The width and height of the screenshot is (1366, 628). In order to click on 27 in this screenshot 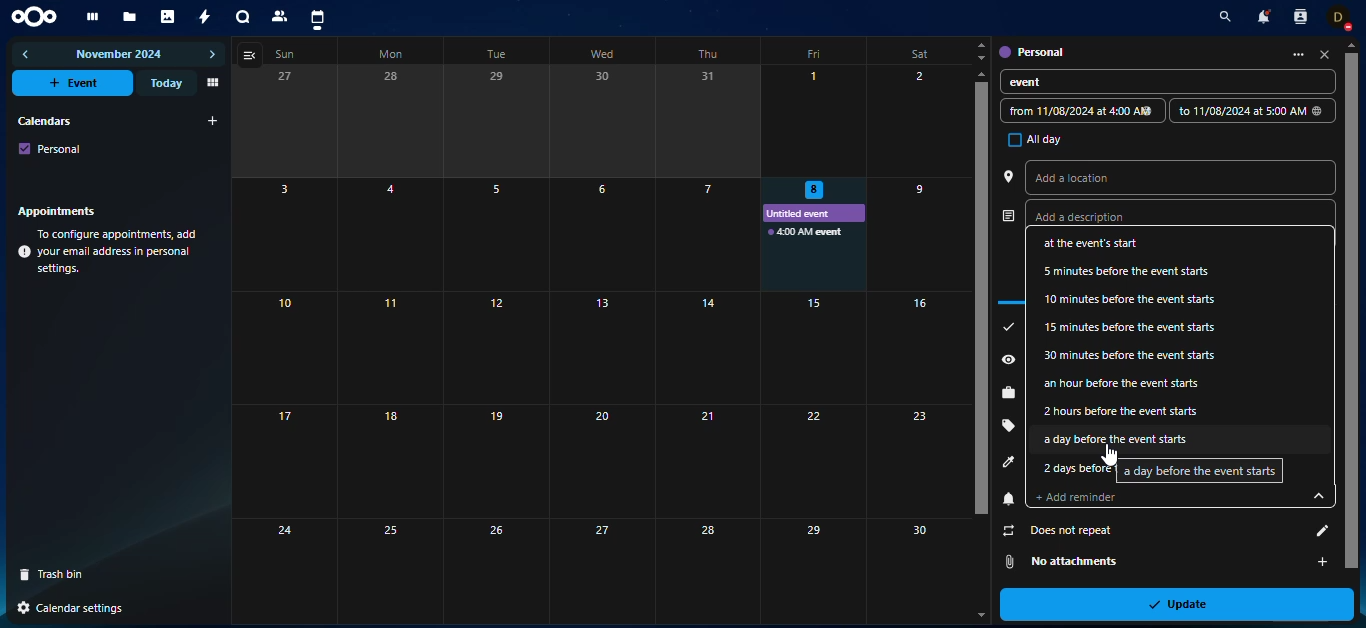, I will do `click(282, 123)`.